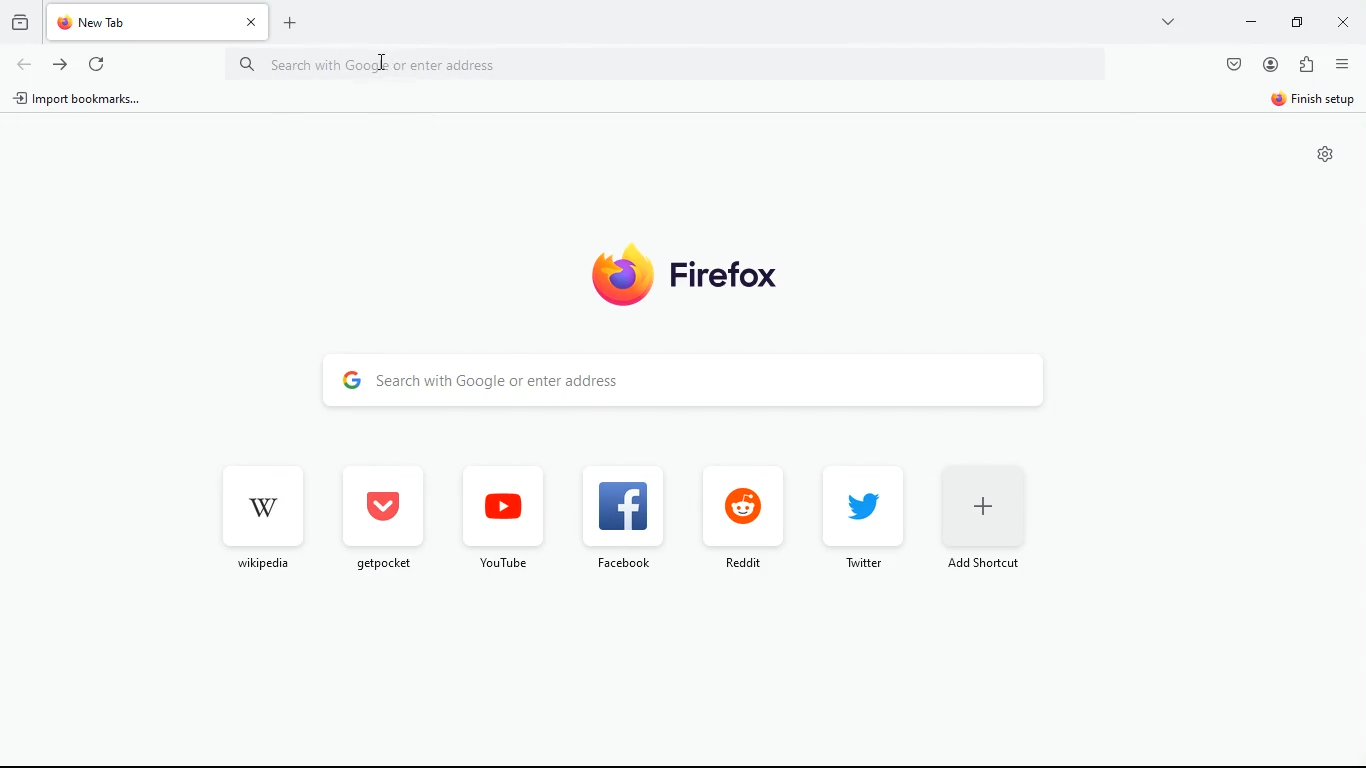 The image size is (1366, 768). What do you see at coordinates (1343, 67) in the screenshot?
I see `options` at bounding box center [1343, 67].